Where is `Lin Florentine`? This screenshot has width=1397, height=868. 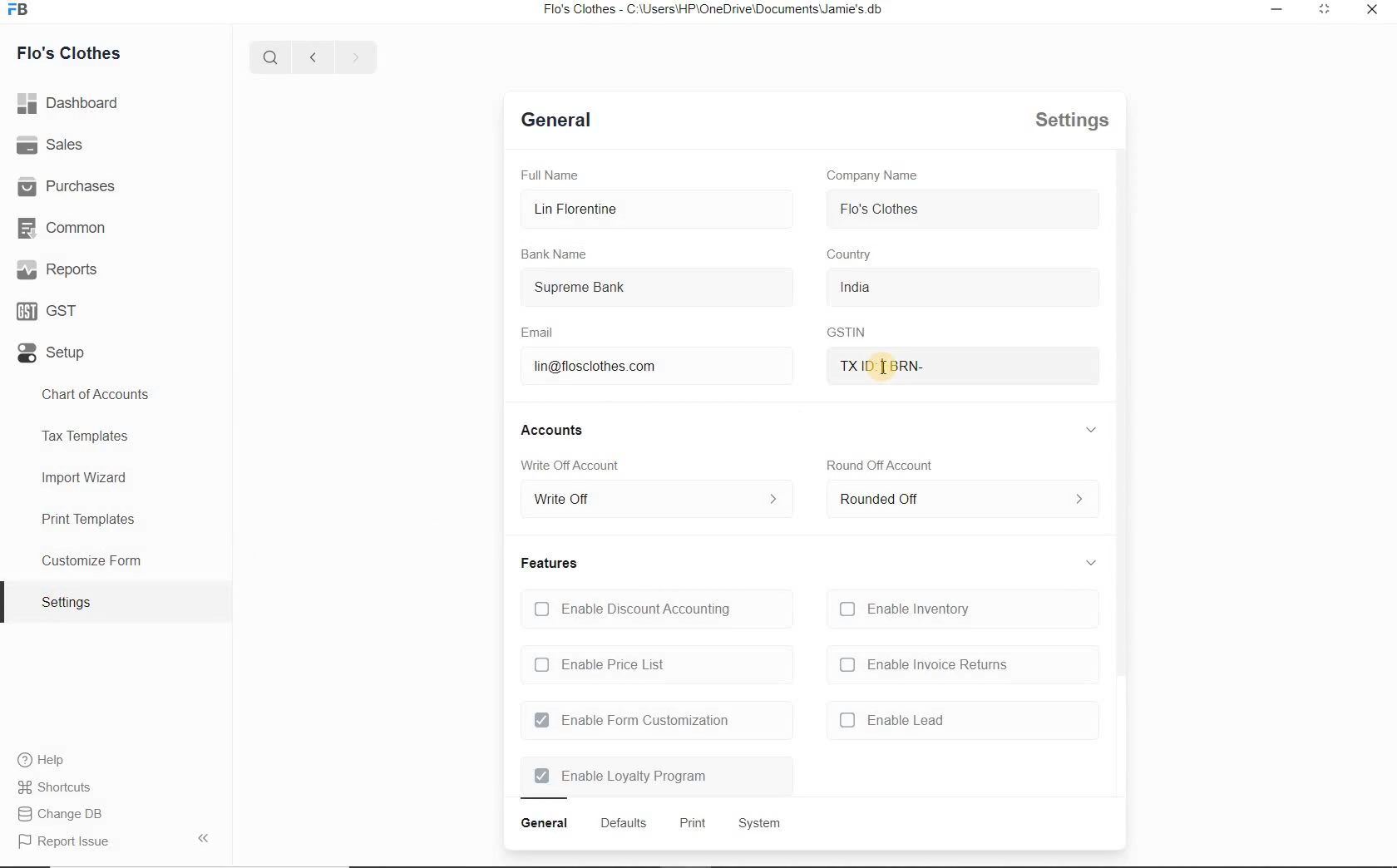 Lin Florentine is located at coordinates (646, 210).